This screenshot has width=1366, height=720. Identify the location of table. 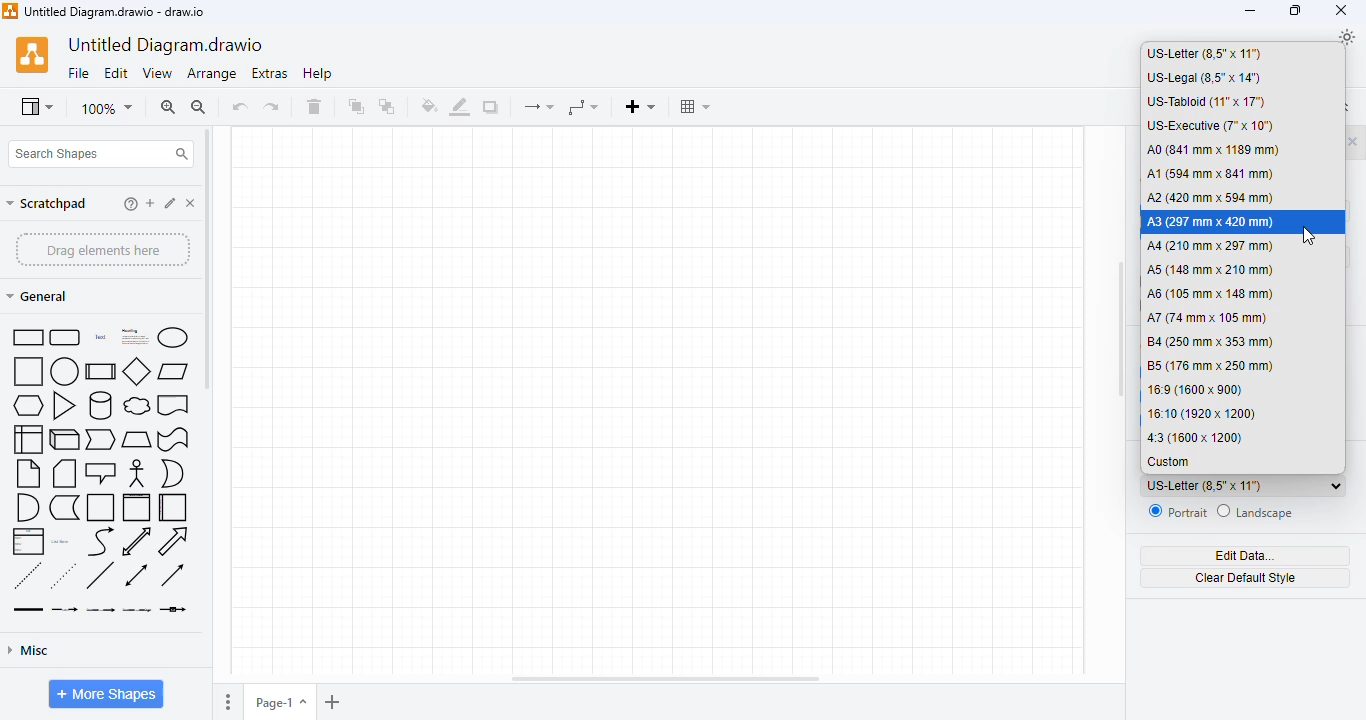
(694, 106).